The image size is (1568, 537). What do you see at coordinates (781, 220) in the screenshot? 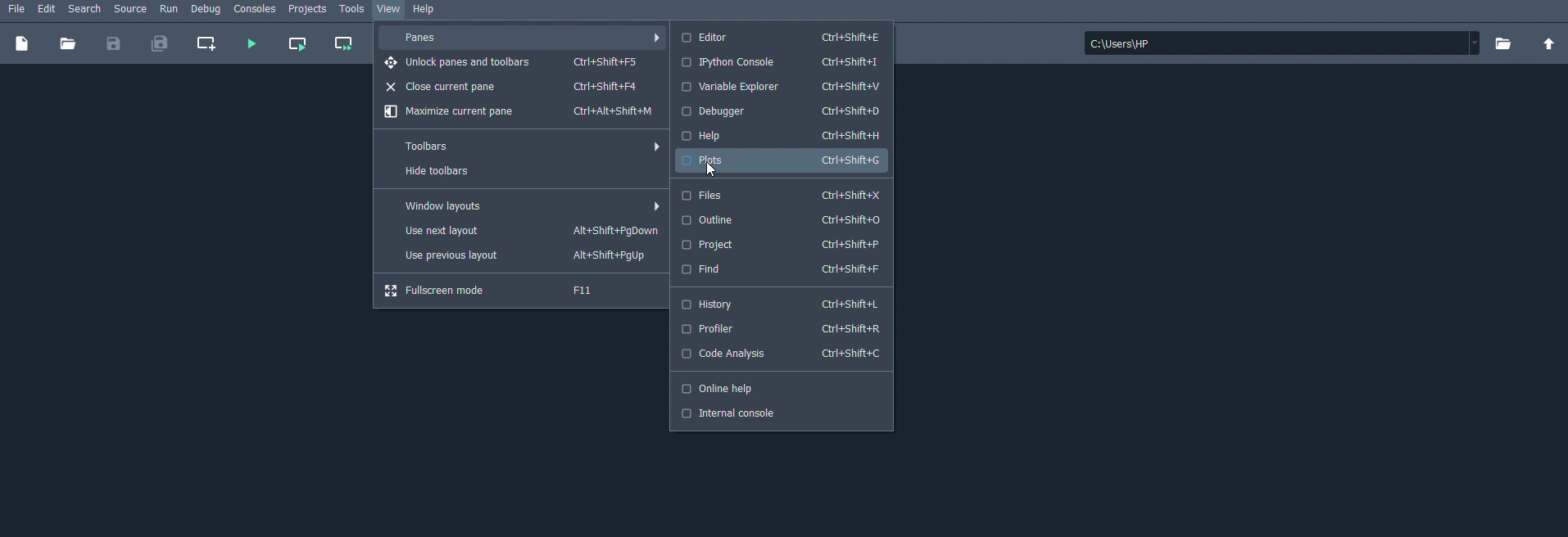
I see `Outline` at bounding box center [781, 220].